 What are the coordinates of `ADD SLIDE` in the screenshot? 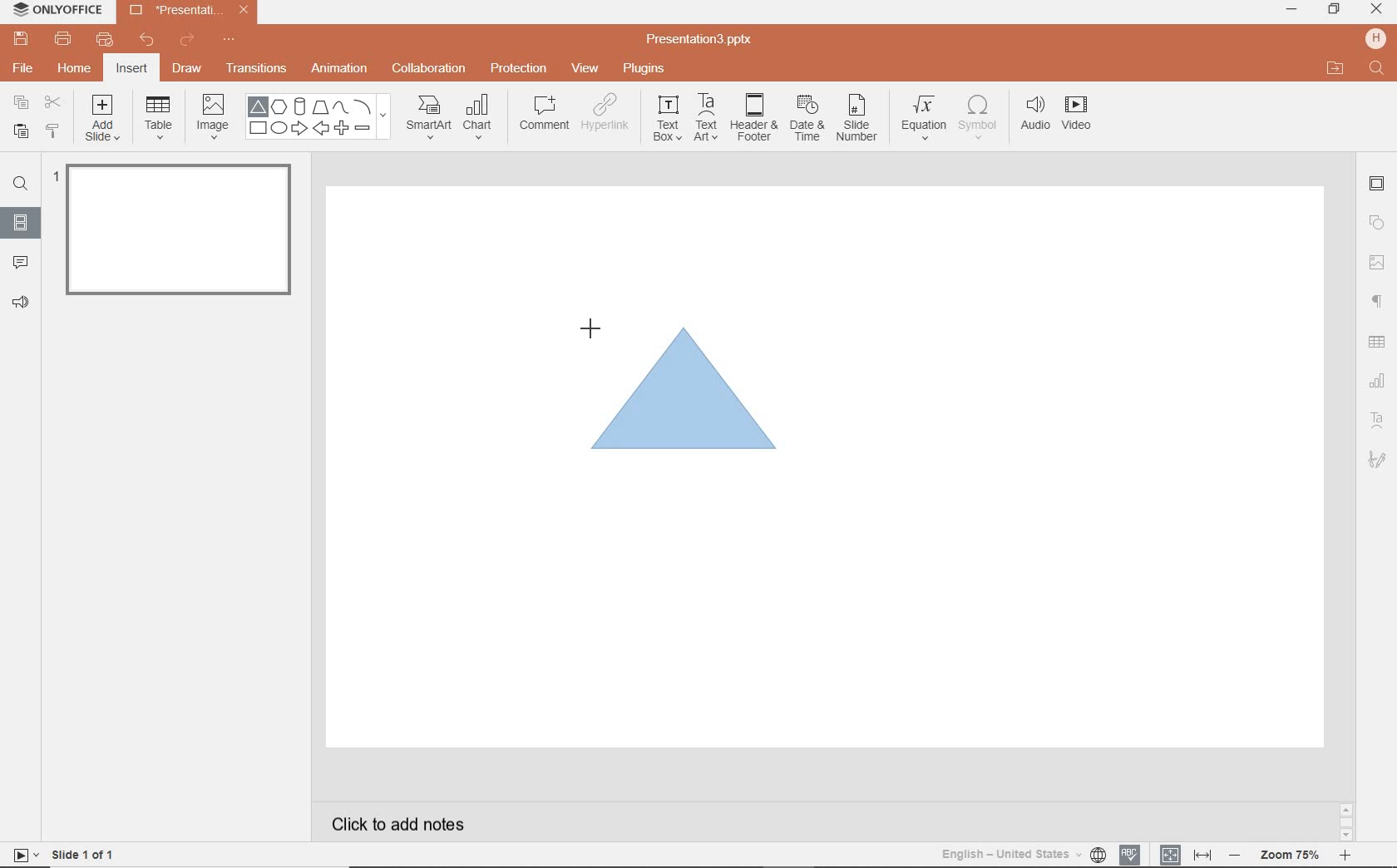 It's located at (105, 121).